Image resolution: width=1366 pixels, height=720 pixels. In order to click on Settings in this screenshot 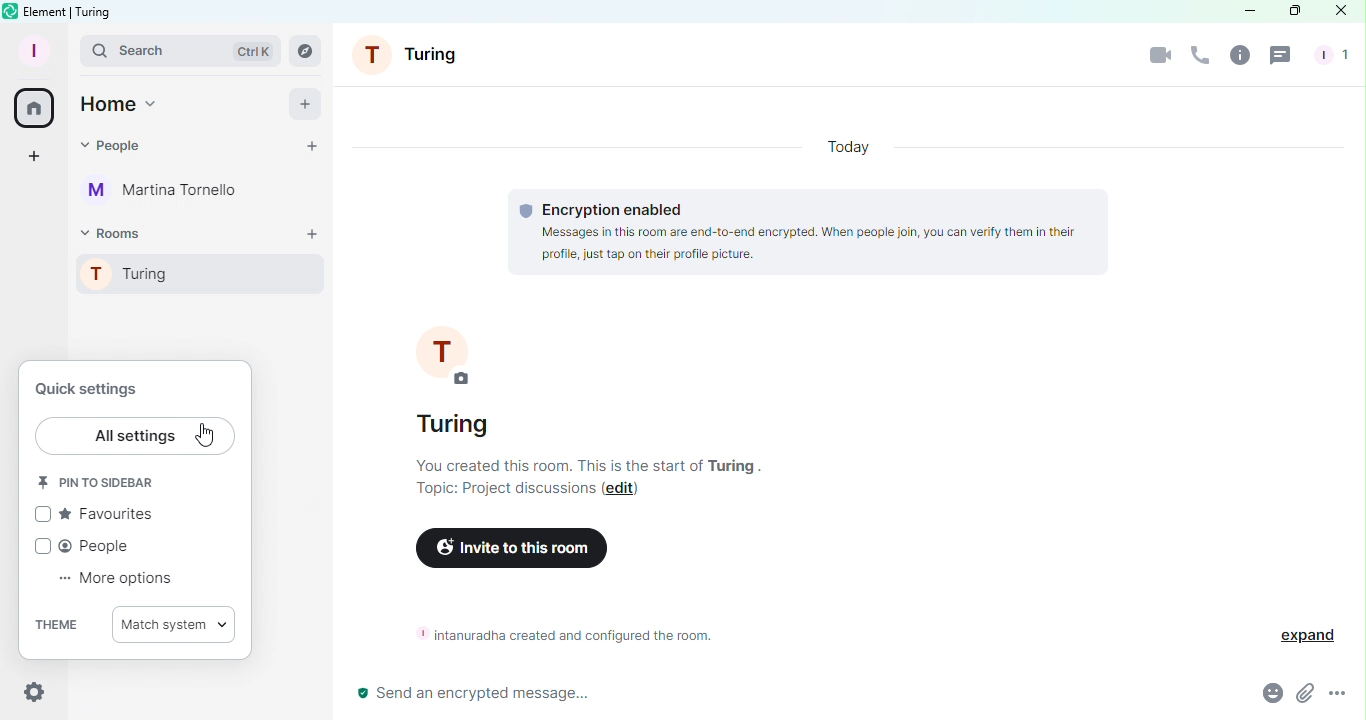, I will do `click(33, 693)`.